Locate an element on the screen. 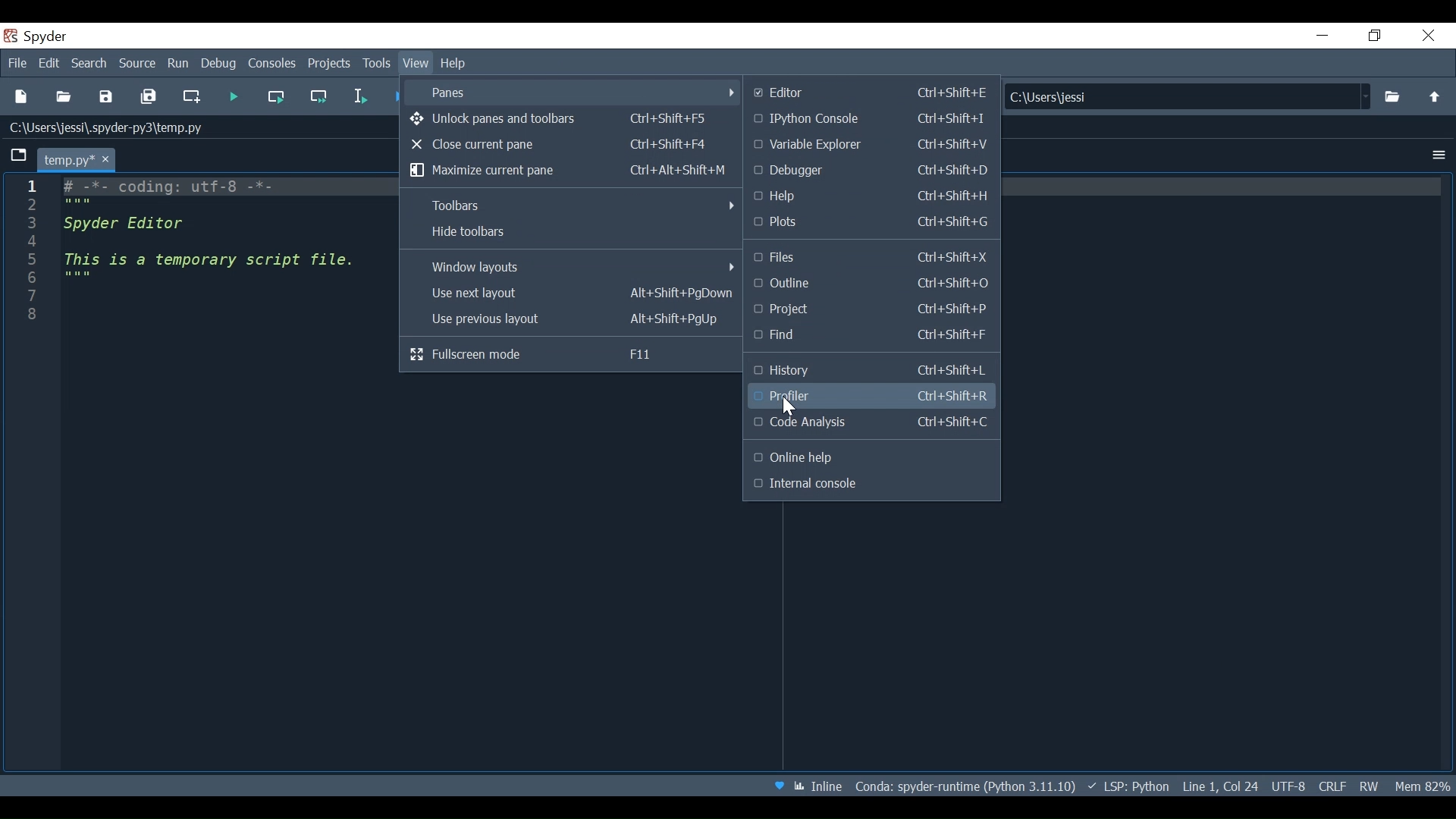 The height and width of the screenshot is (819, 1456). Use next layout is located at coordinates (570, 293).